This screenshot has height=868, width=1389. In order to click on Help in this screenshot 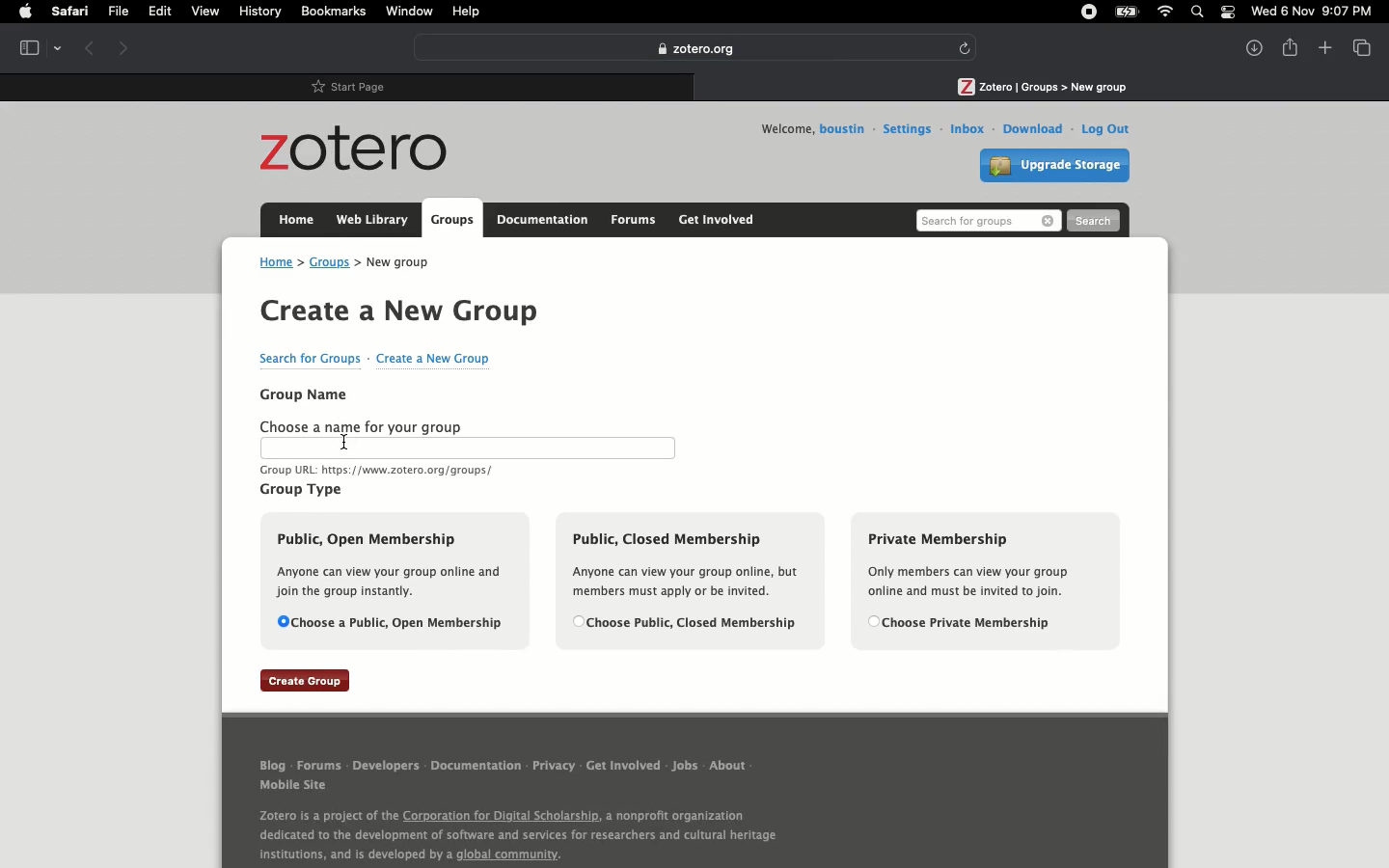, I will do `click(467, 12)`.